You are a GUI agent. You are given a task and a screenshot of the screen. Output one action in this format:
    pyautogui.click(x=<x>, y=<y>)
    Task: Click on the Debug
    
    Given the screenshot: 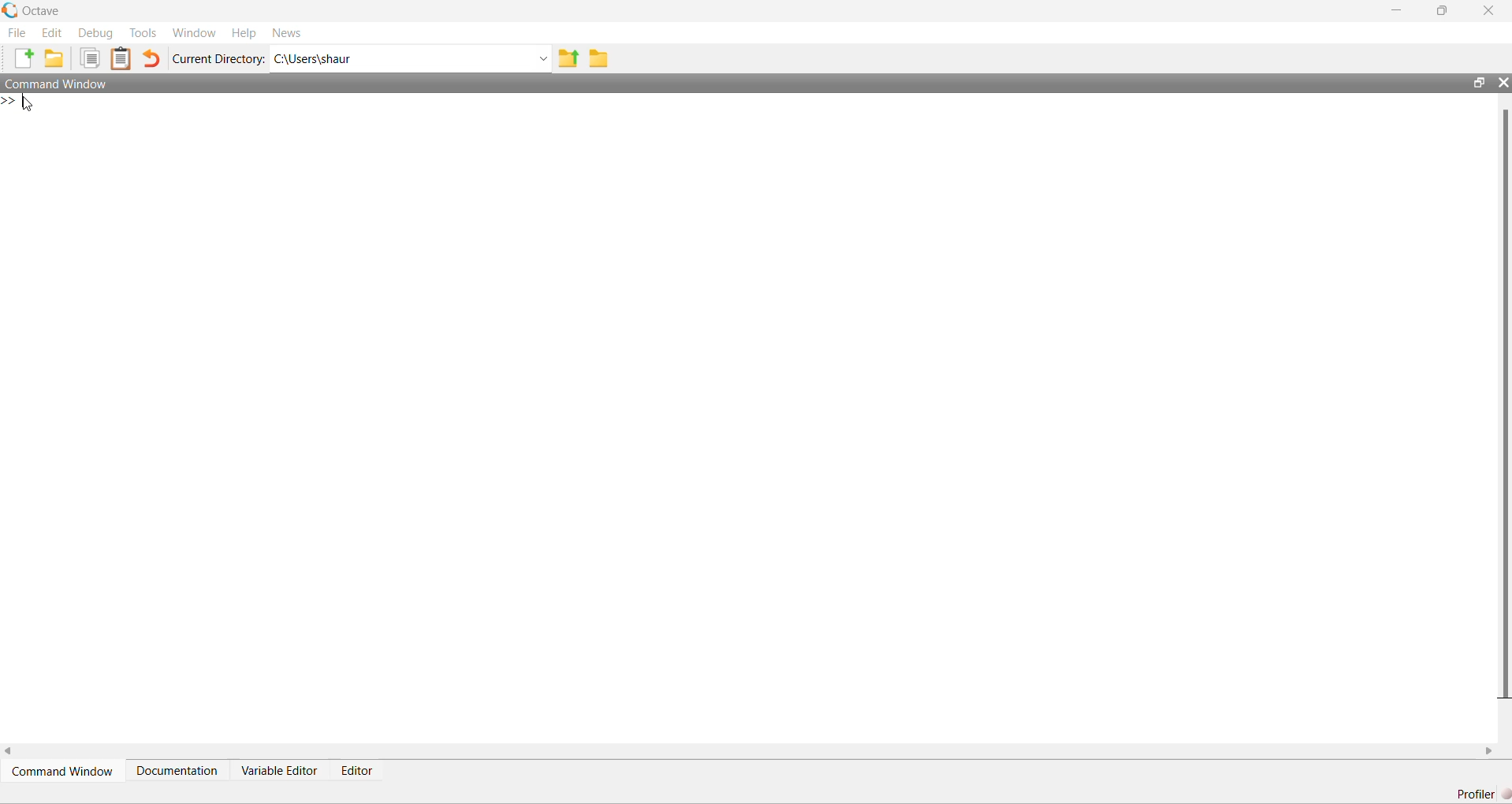 What is the action you would take?
    pyautogui.click(x=98, y=33)
    